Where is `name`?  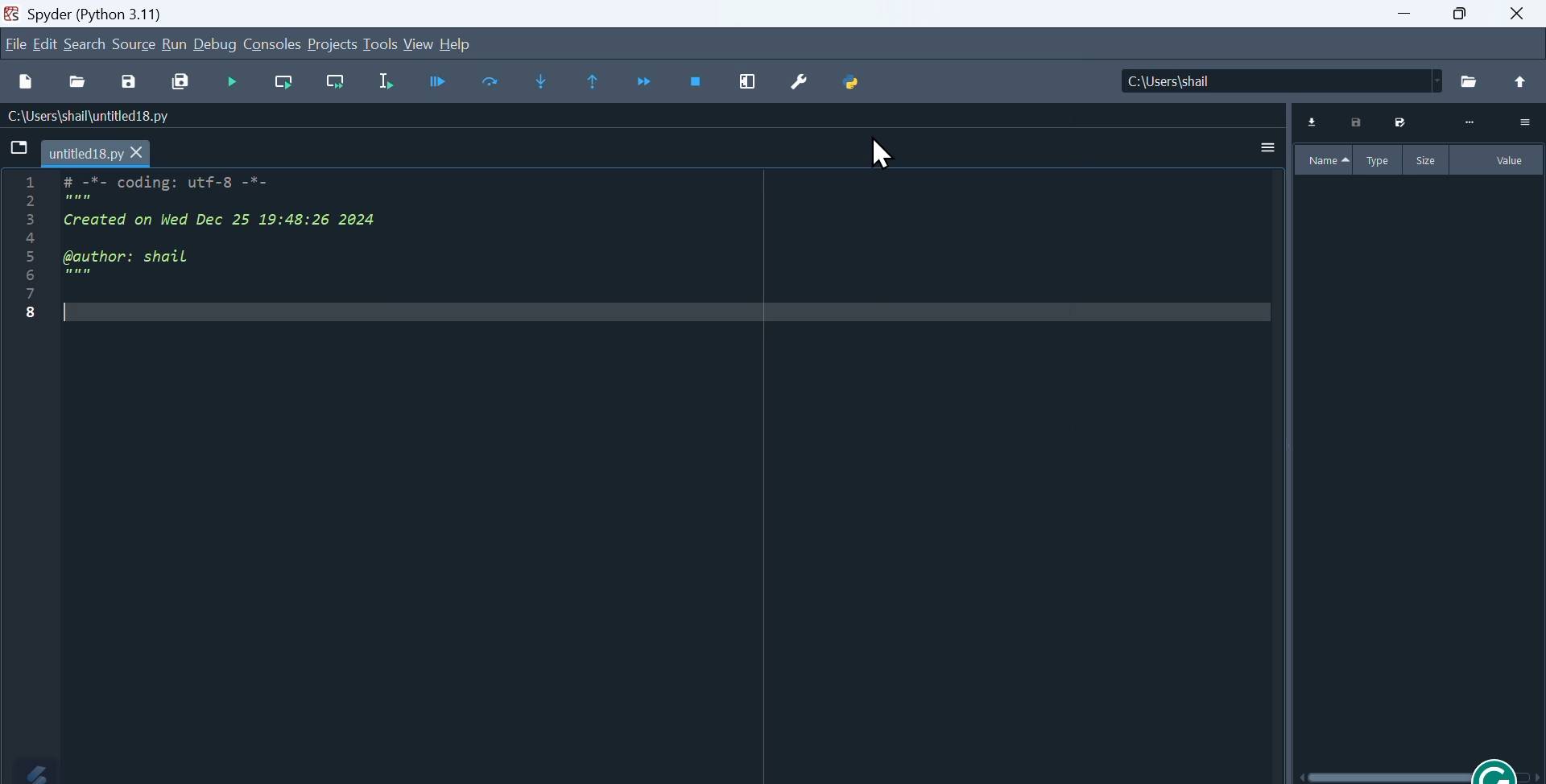
name is located at coordinates (1326, 159).